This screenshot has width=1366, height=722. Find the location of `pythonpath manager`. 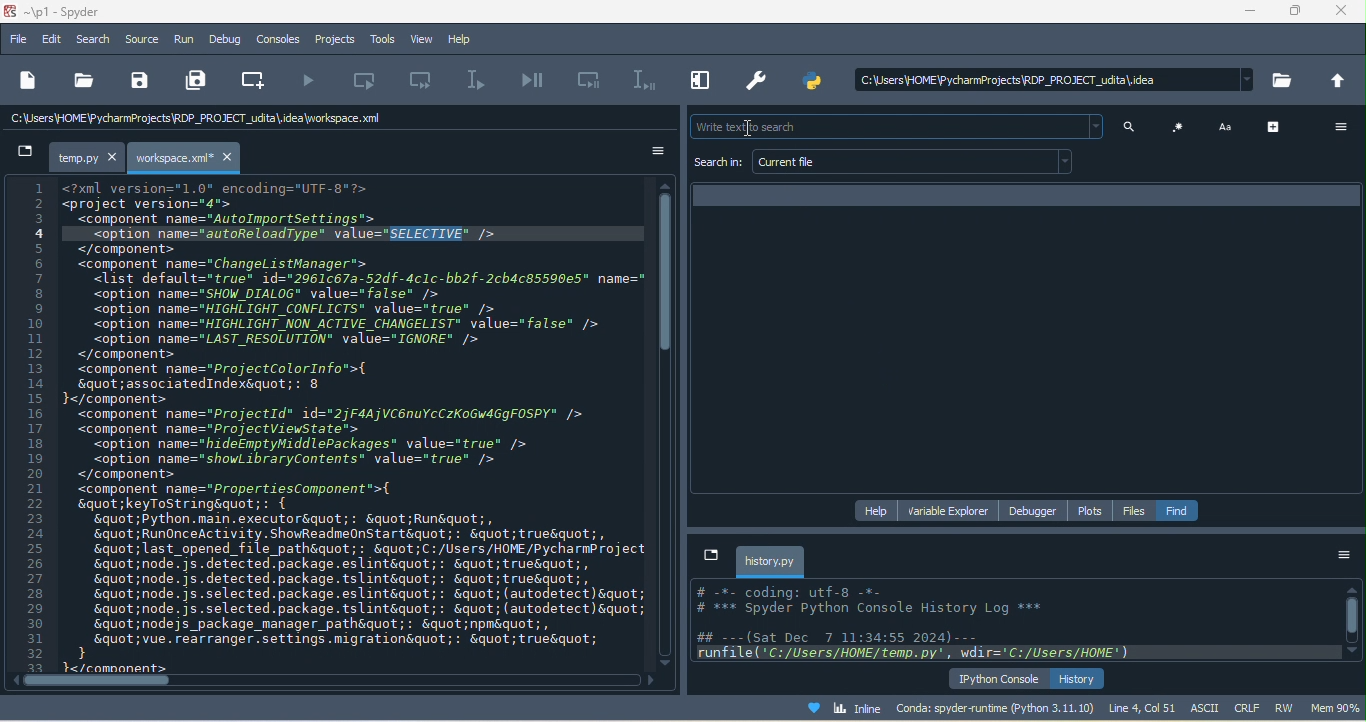

pythonpath manager is located at coordinates (812, 83).